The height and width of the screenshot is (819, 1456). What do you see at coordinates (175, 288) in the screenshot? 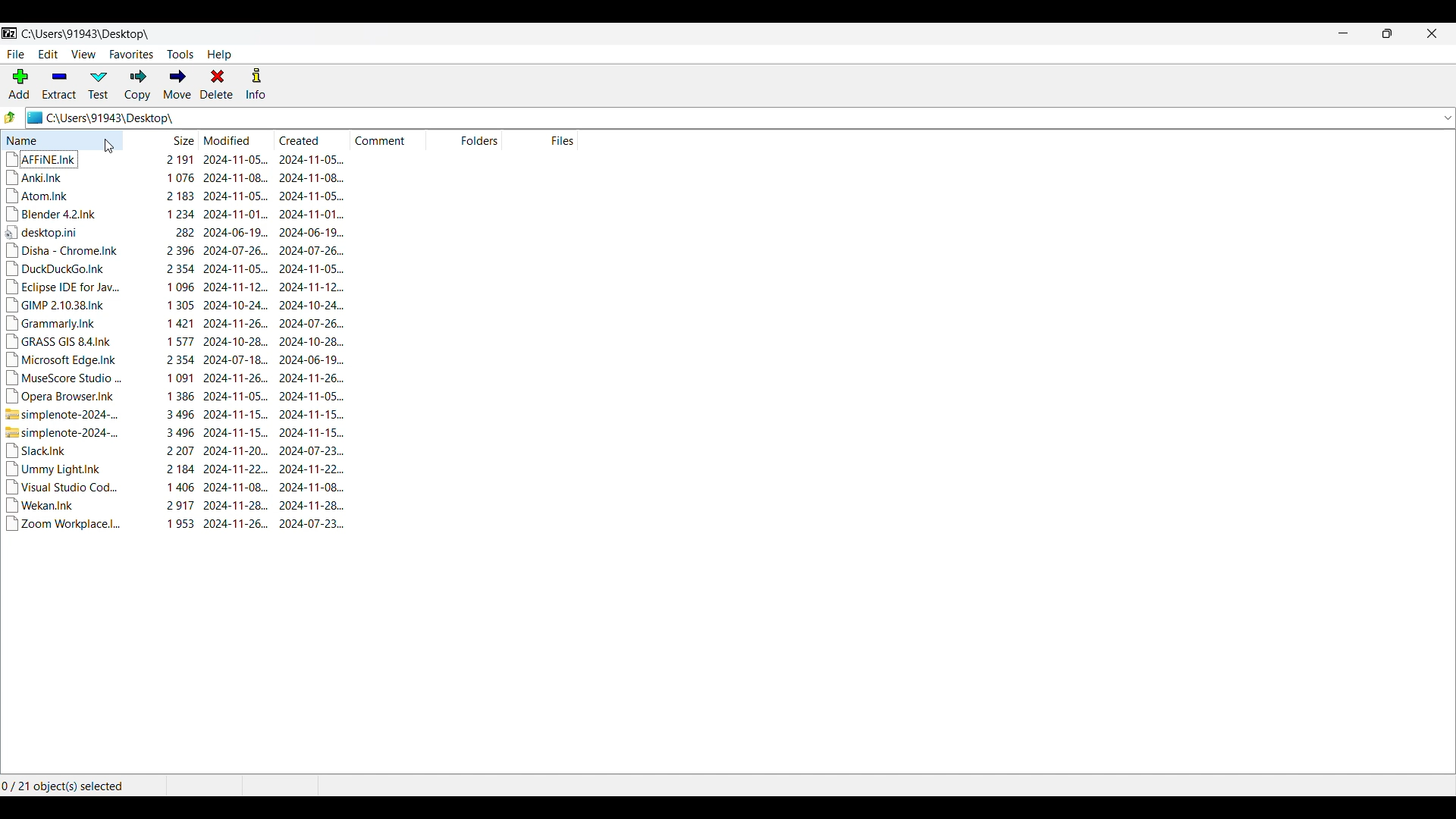
I see `Eclipse IDE for Jav... 1096 2024-11-12. 2024-11-12.` at bounding box center [175, 288].